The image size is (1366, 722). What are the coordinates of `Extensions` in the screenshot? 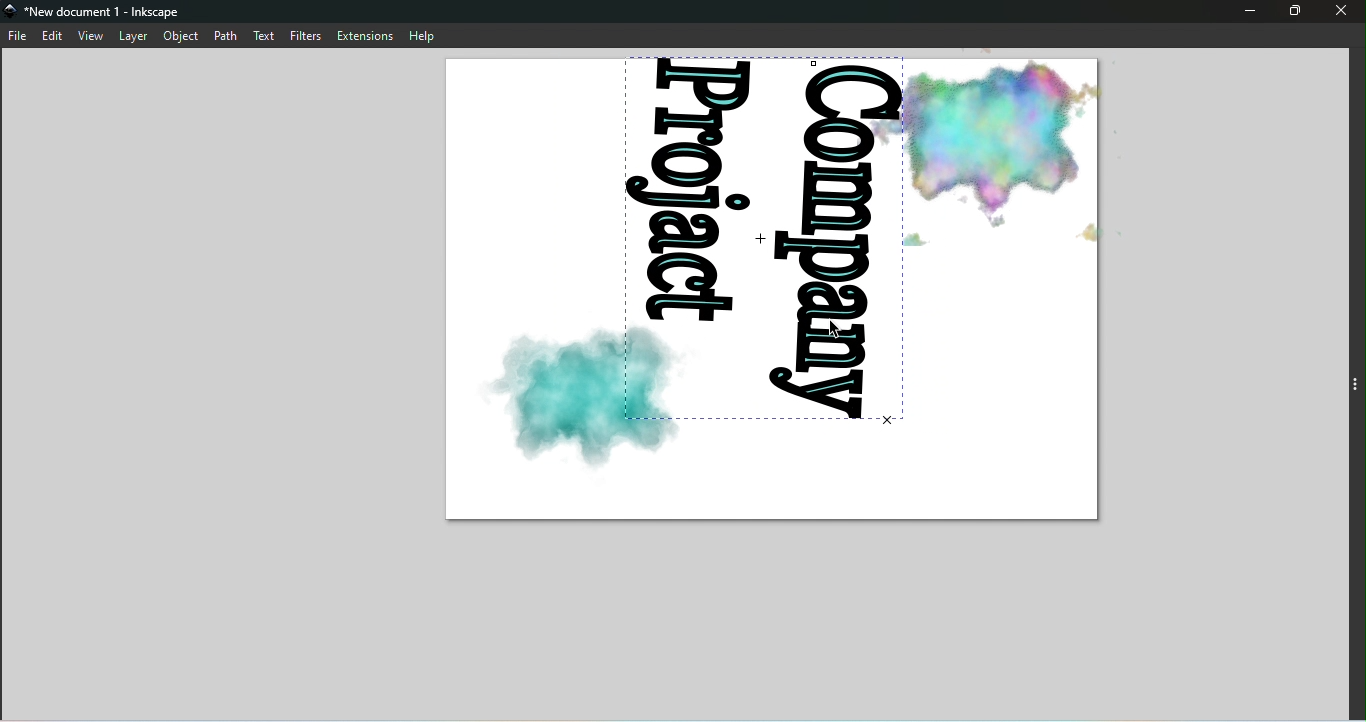 It's located at (365, 35).